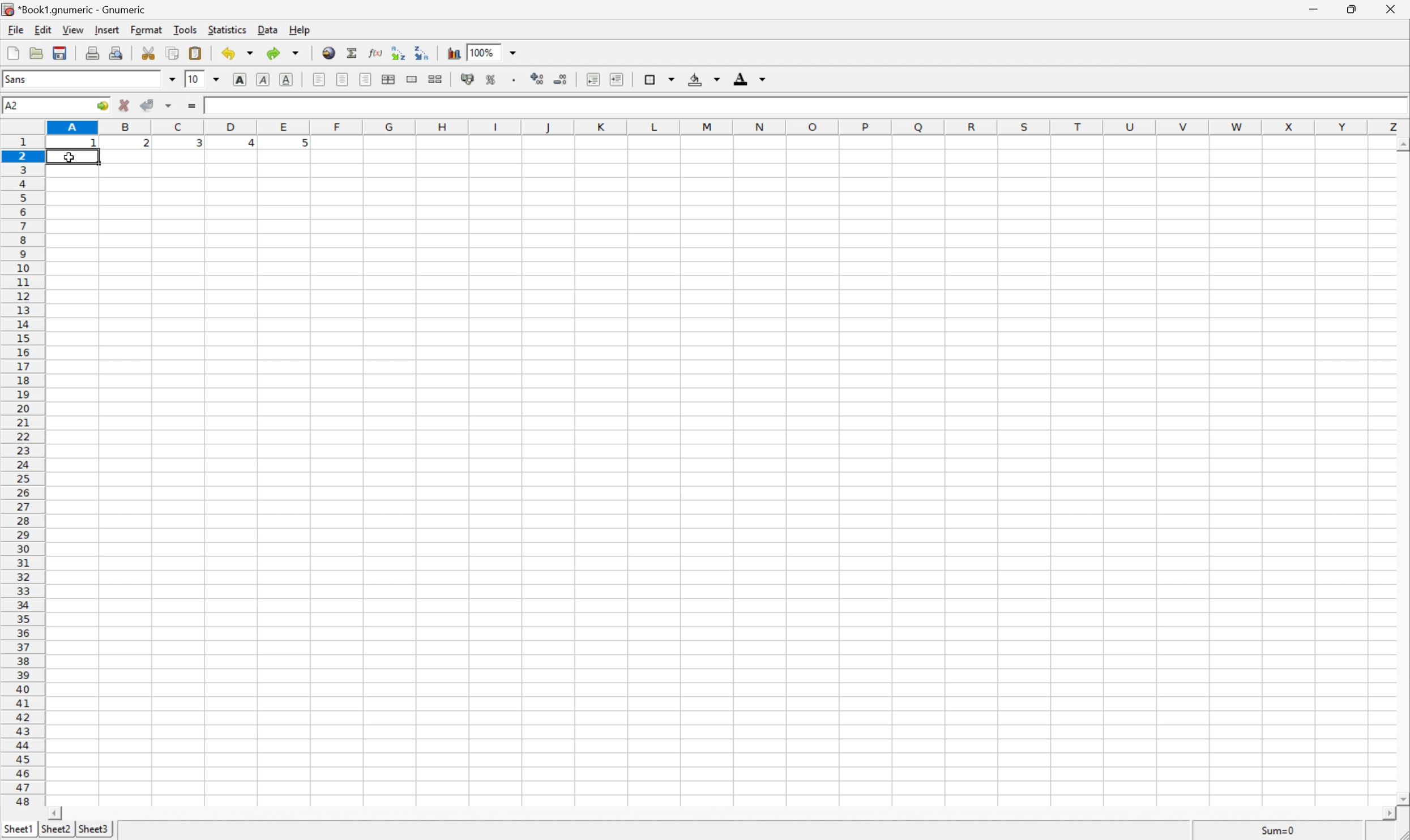 This screenshot has width=1410, height=840. What do you see at coordinates (1269, 830) in the screenshot?
I see `sum=0` at bounding box center [1269, 830].